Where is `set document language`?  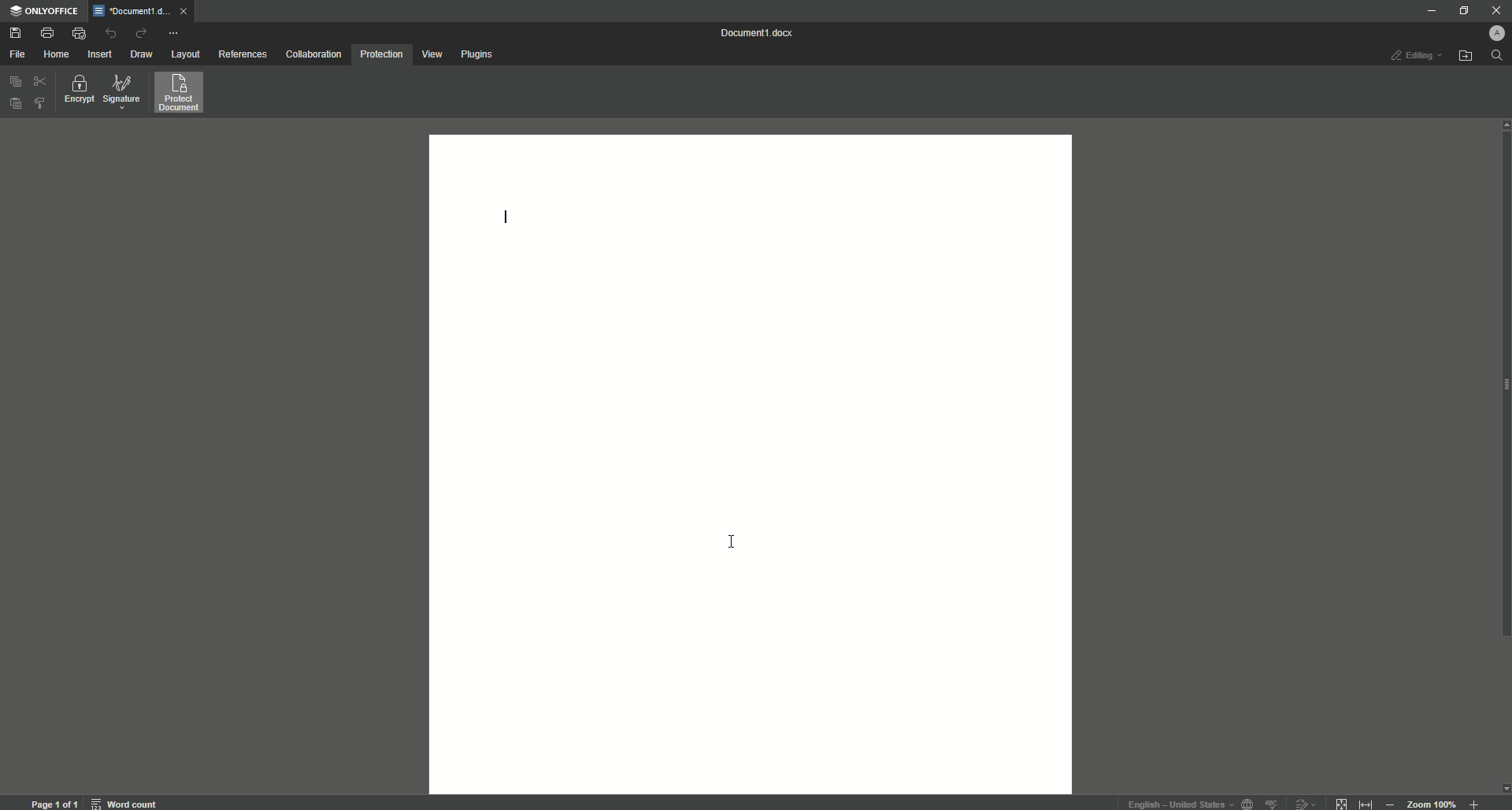 set document language is located at coordinates (1247, 802).